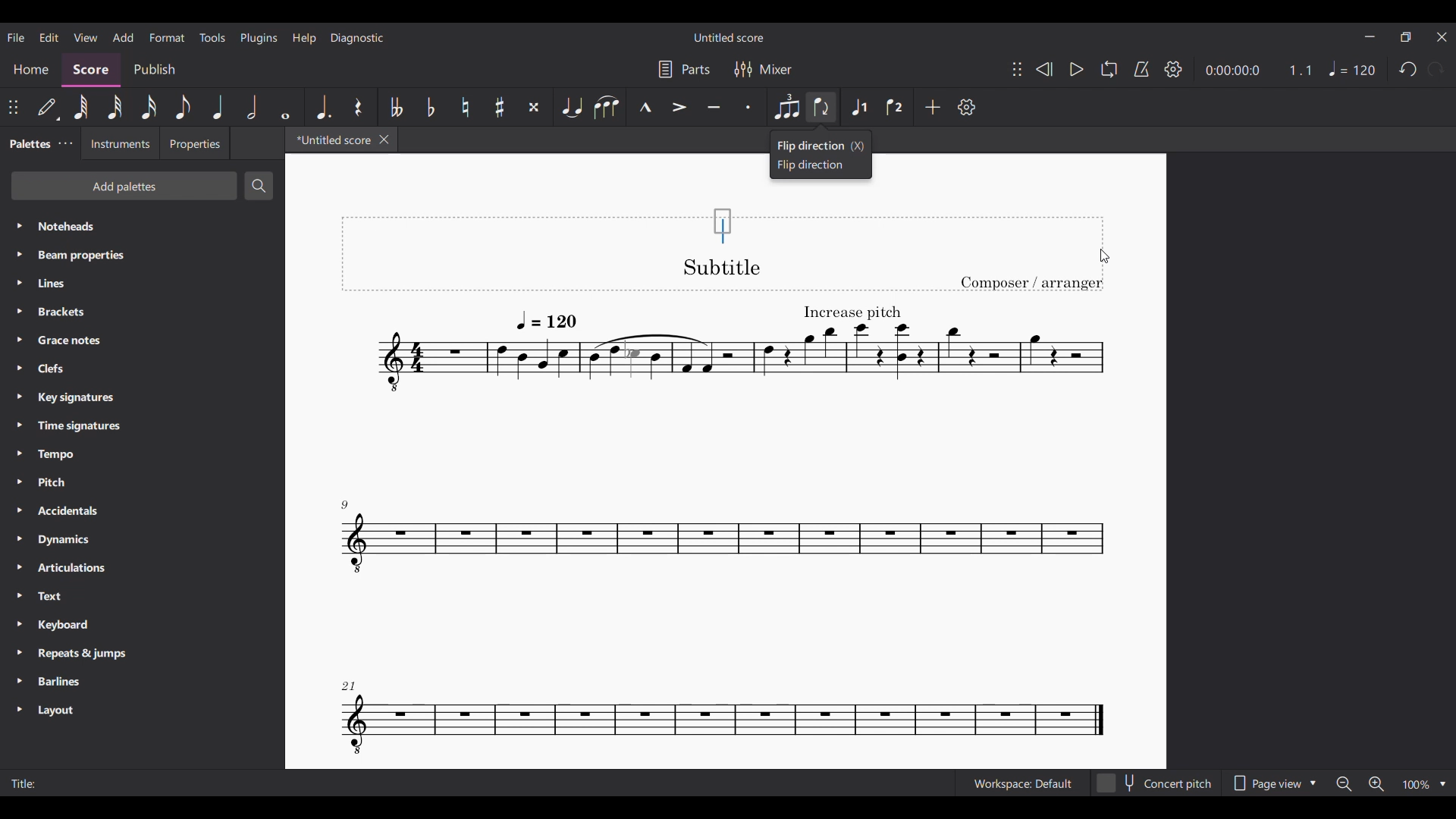 This screenshot has width=1456, height=819. What do you see at coordinates (896, 107) in the screenshot?
I see `Voice 2` at bounding box center [896, 107].